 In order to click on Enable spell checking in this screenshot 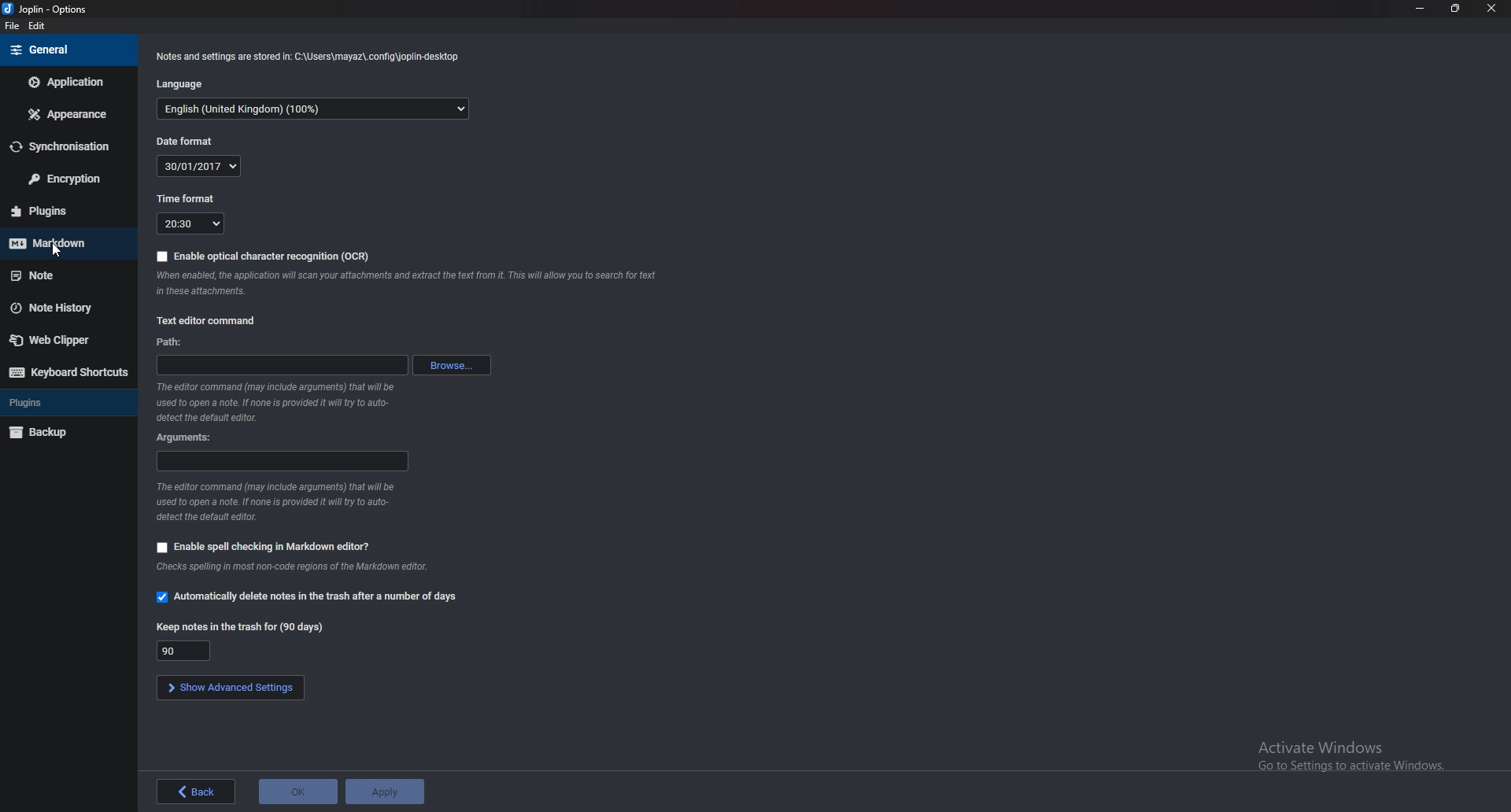, I will do `click(263, 547)`.